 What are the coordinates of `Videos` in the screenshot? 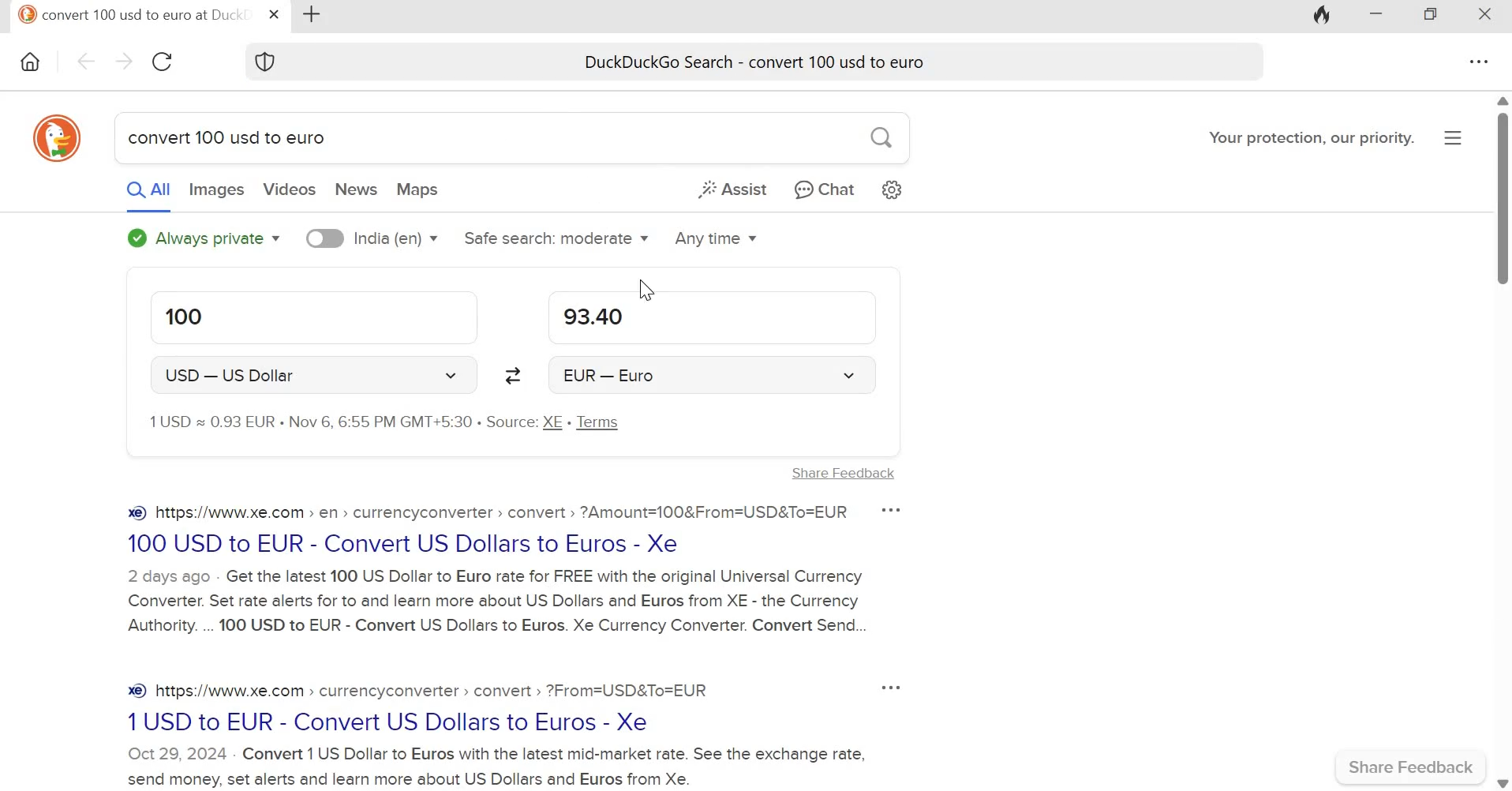 It's located at (289, 189).